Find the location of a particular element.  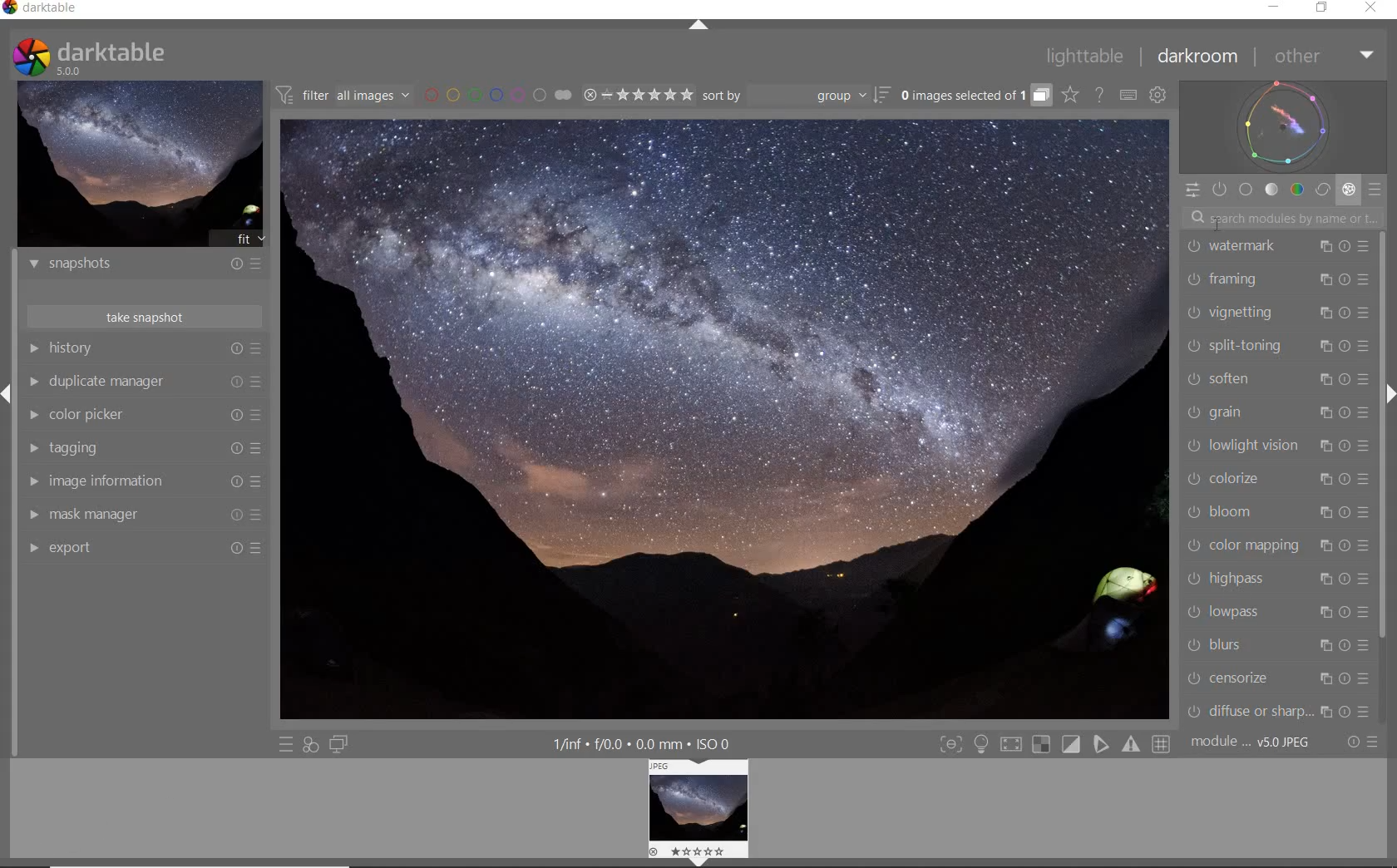

SPLIT-TONING is located at coordinates (1236, 348).